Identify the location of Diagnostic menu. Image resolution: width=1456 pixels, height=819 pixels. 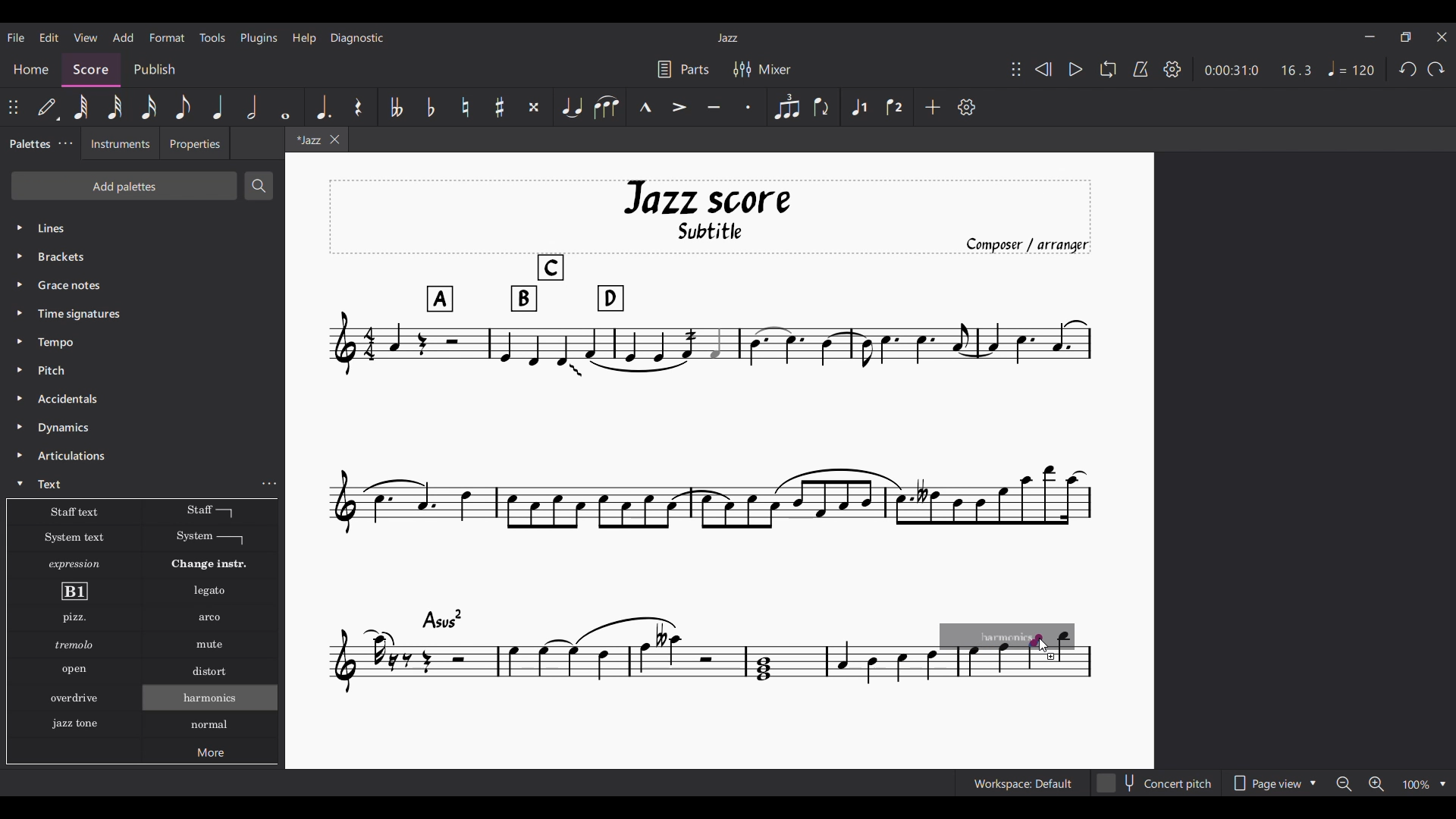
(357, 39).